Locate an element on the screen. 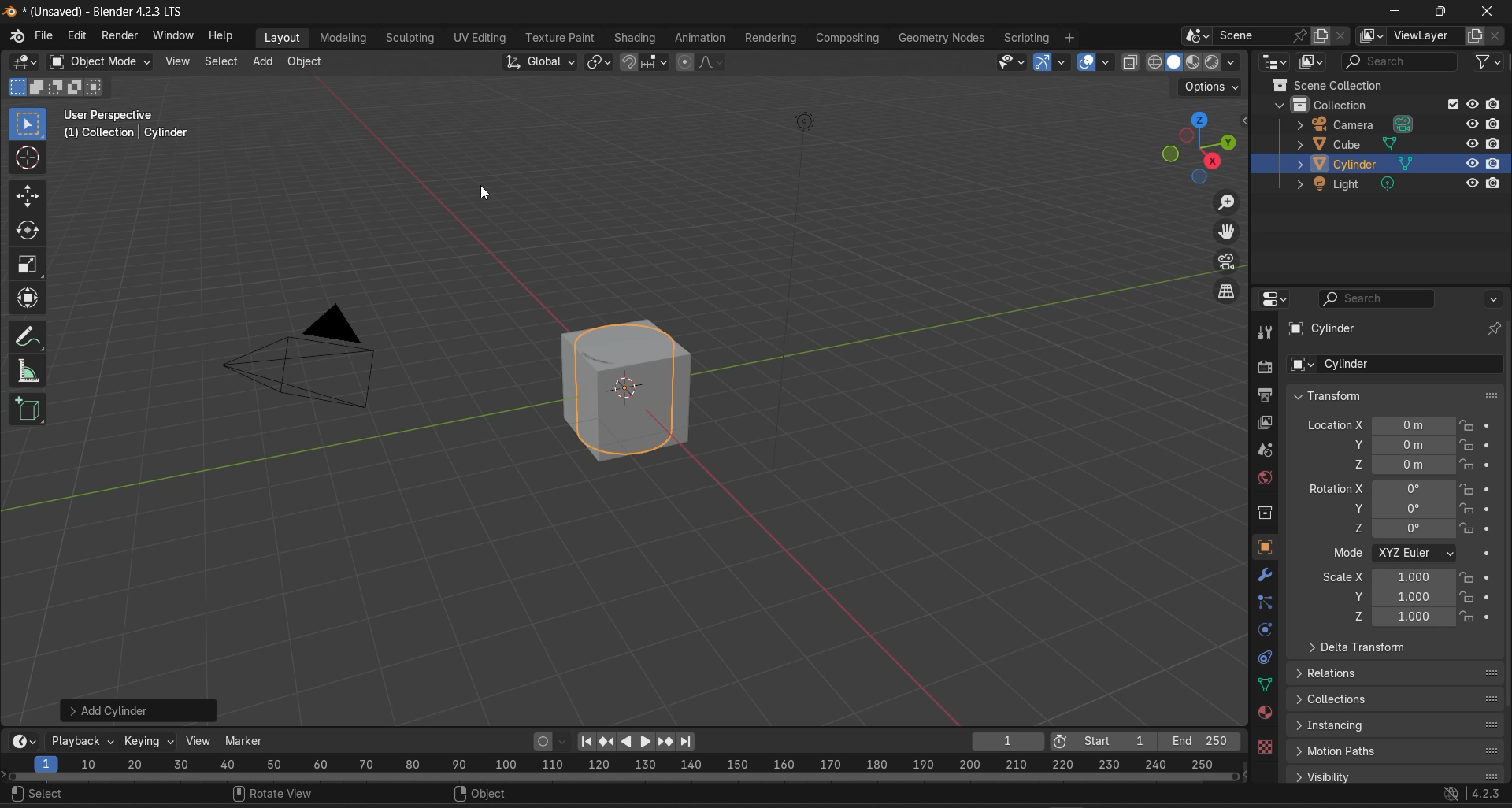 The height and width of the screenshot is (808, 1512). data is located at coordinates (1263, 685).